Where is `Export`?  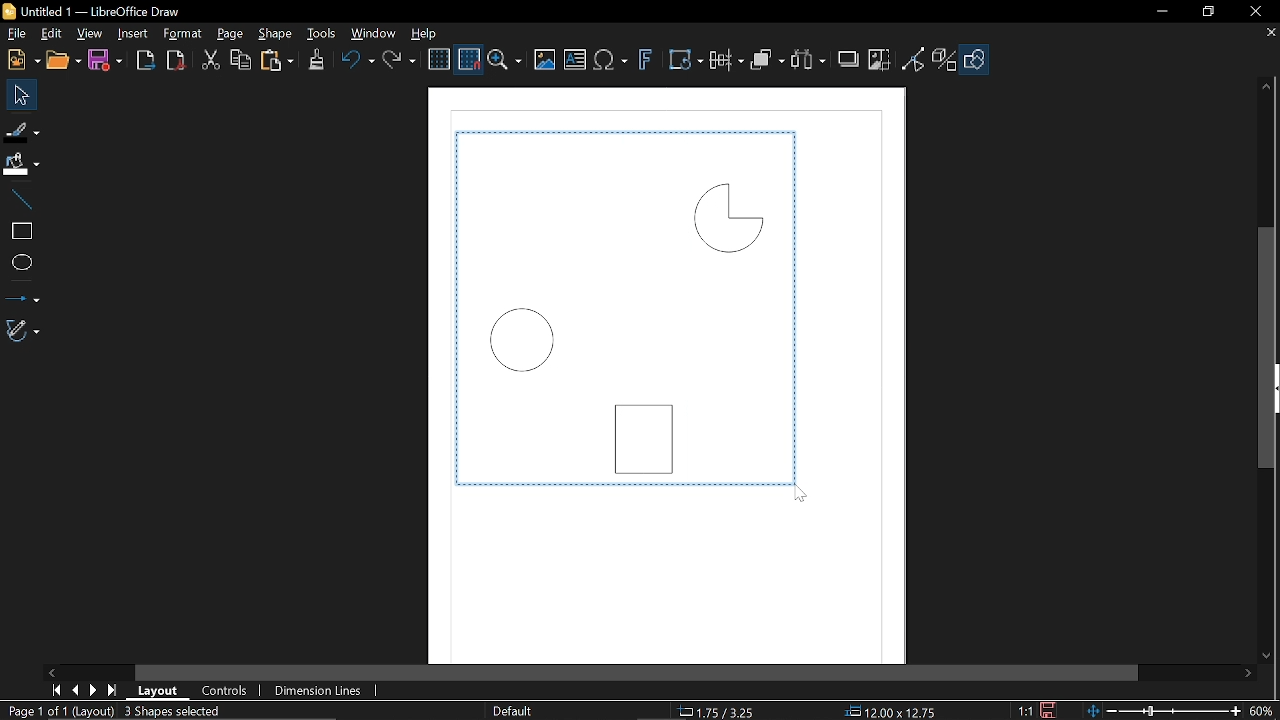
Export is located at coordinates (146, 60).